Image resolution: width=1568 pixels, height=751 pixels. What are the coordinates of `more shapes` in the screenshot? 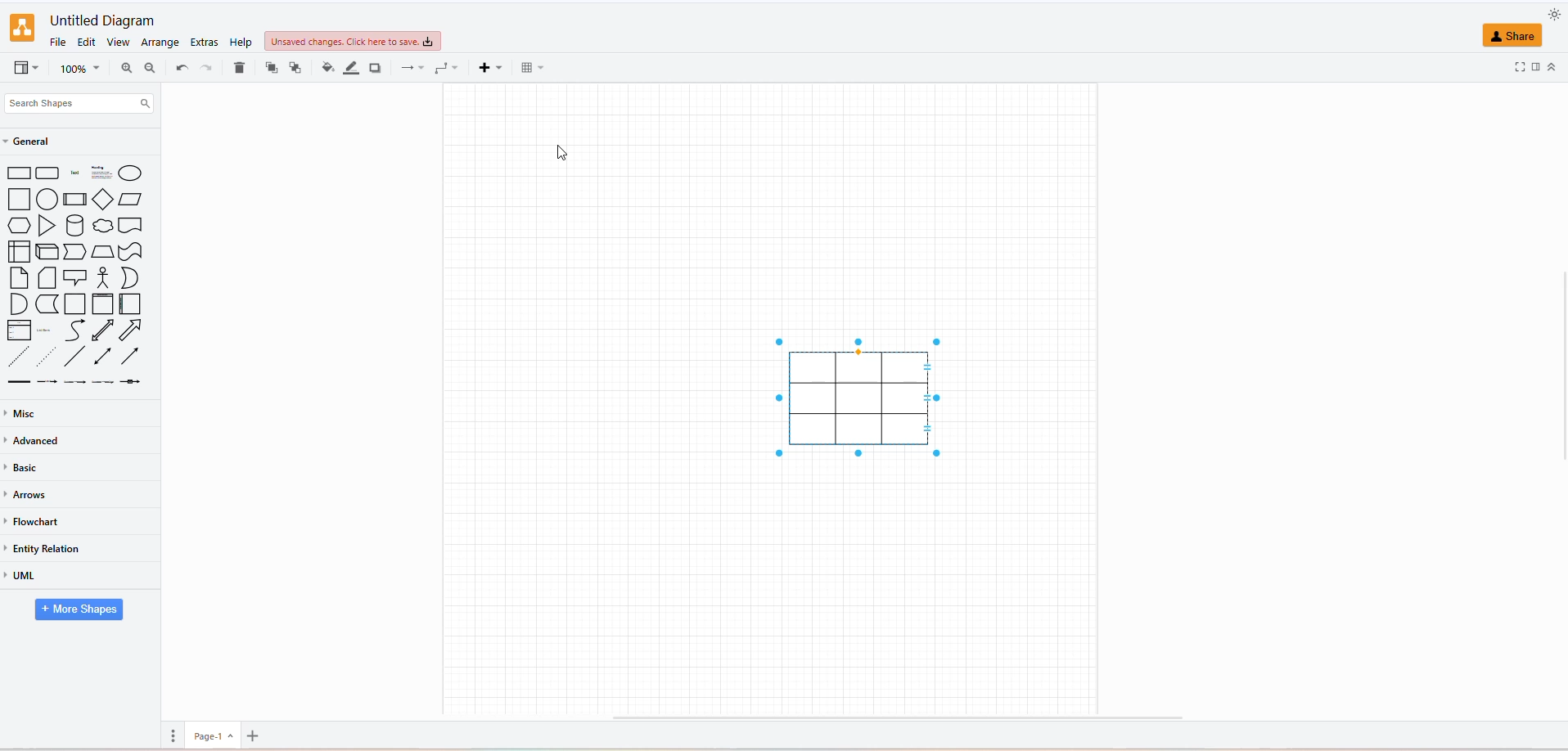 It's located at (79, 611).